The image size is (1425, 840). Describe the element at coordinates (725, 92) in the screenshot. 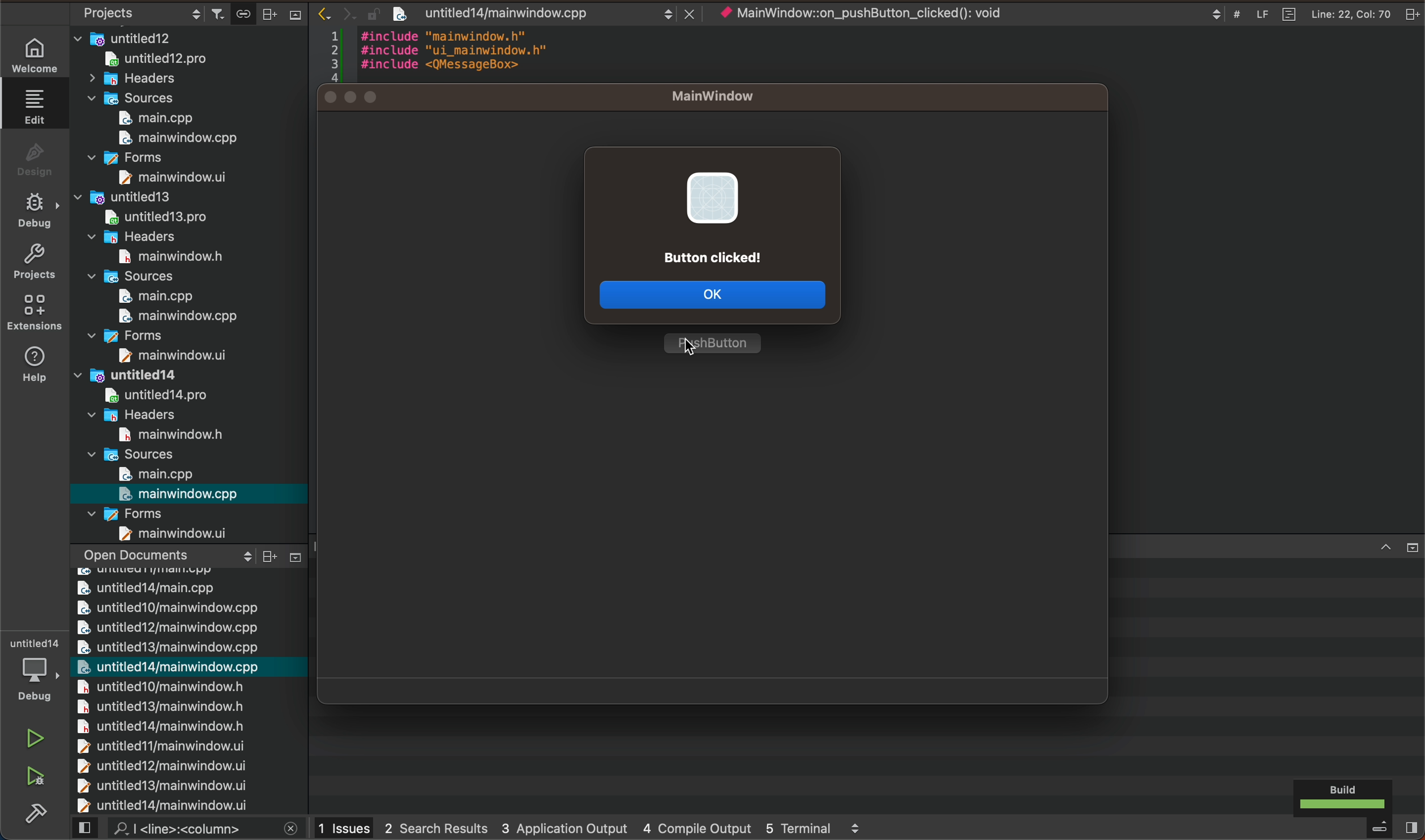

I see `main window` at that location.